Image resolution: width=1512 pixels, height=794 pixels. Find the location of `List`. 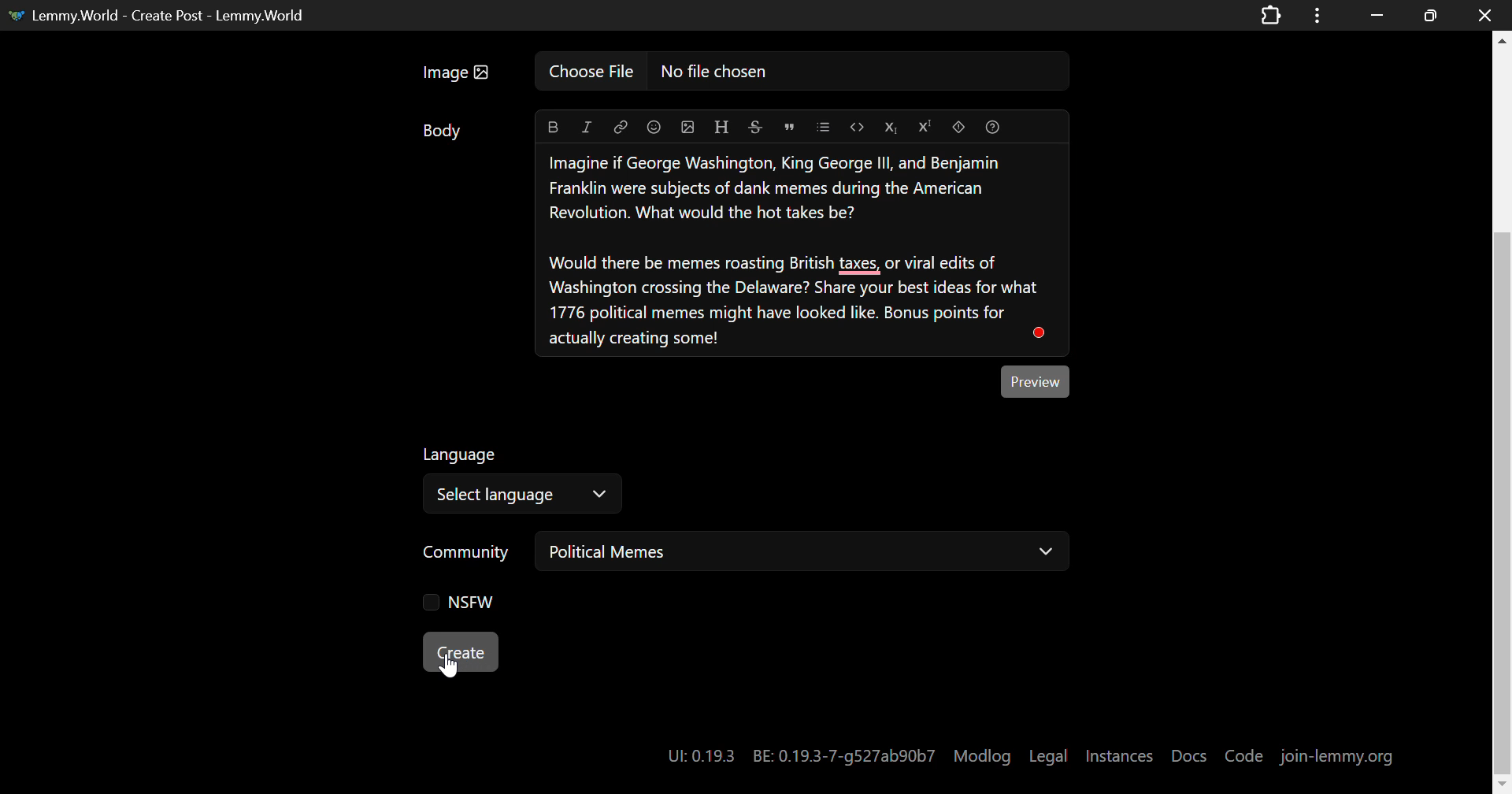

List is located at coordinates (823, 127).